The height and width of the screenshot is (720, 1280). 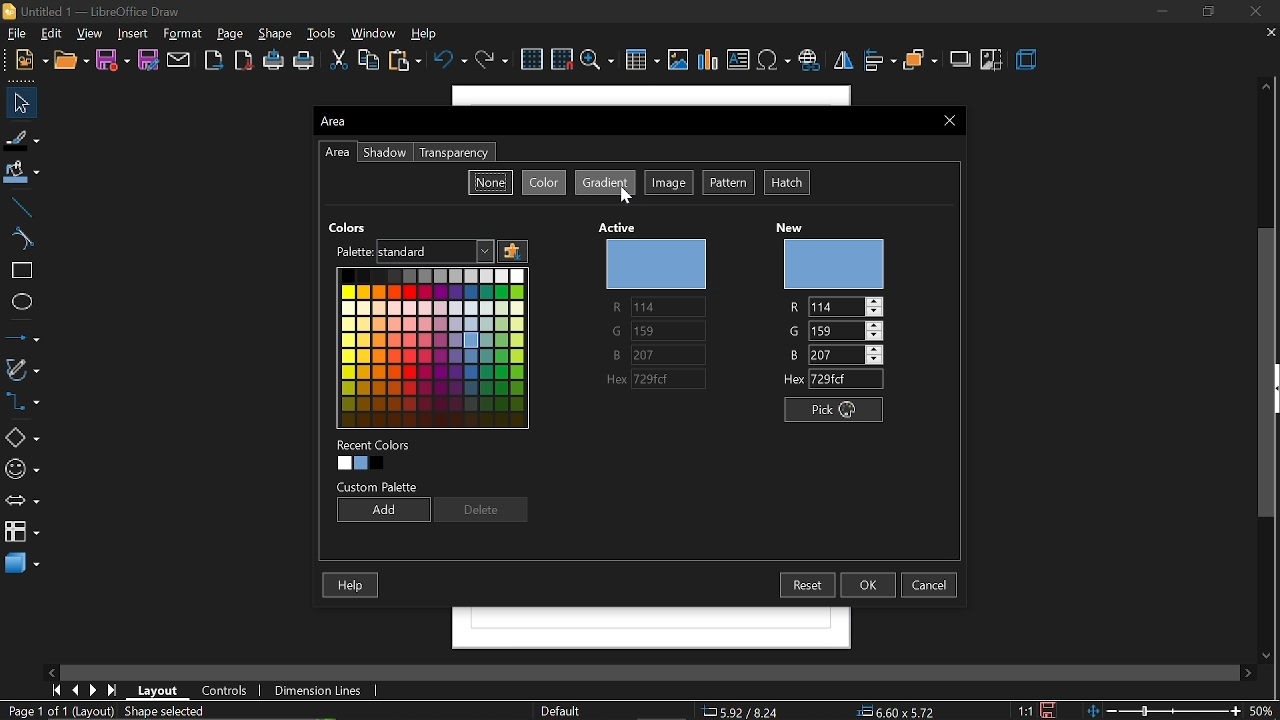 What do you see at coordinates (375, 33) in the screenshot?
I see `window` at bounding box center [375, 33].